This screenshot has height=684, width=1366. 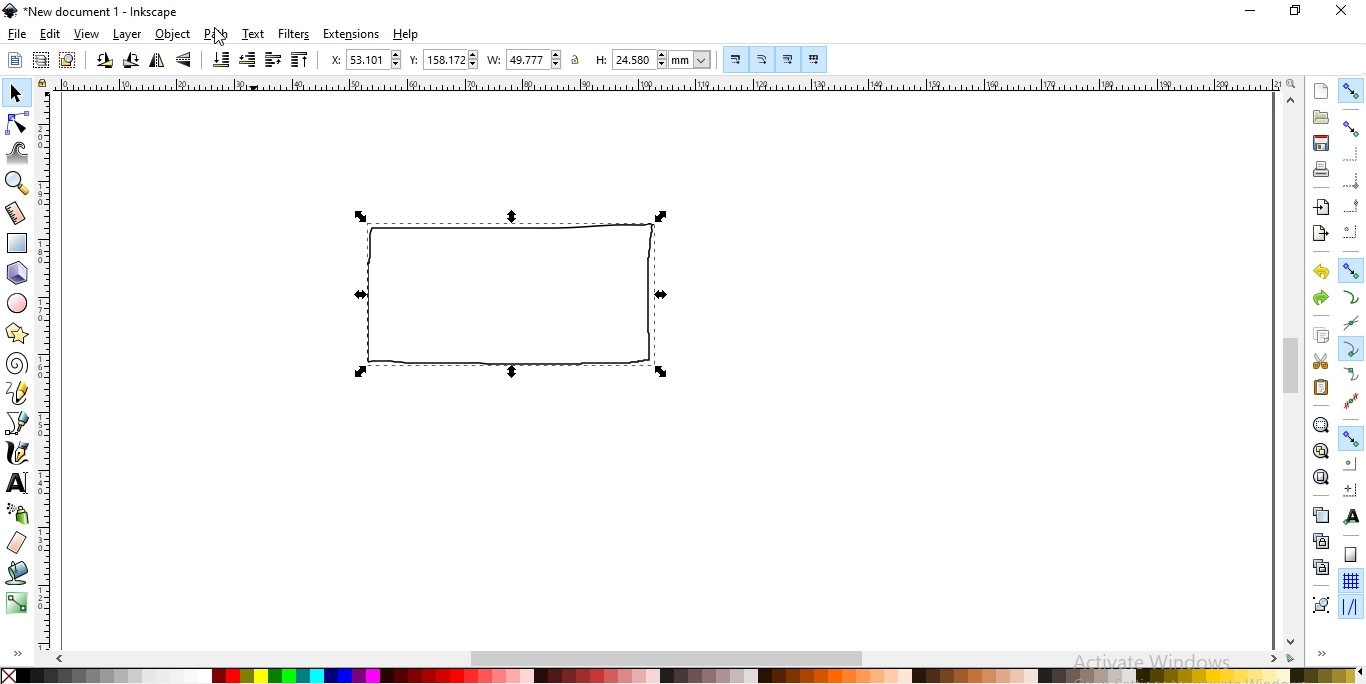 I want to click on raise selection one step, so click(x=272, y=58).